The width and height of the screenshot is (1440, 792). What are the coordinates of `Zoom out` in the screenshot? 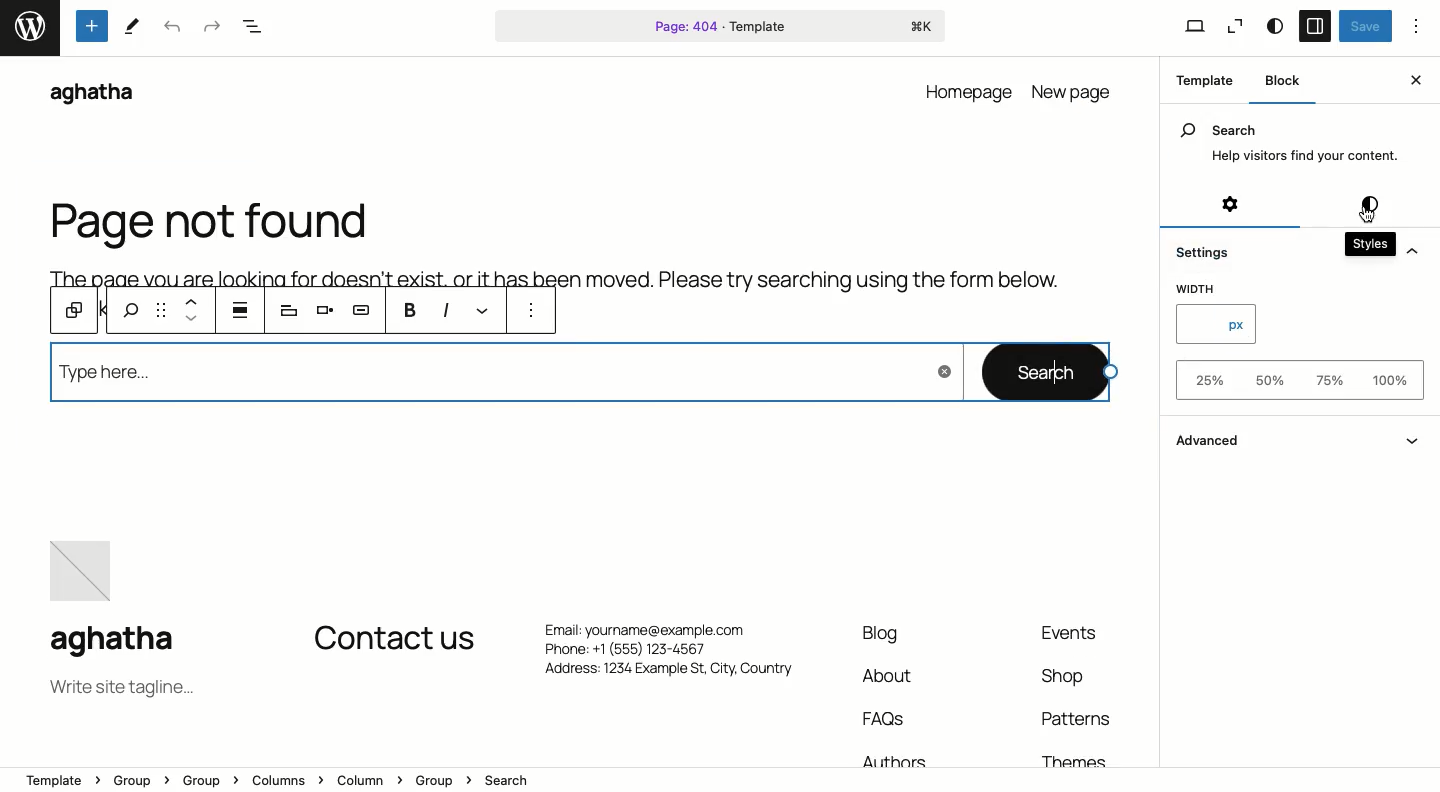 It's located at (1237, 25).